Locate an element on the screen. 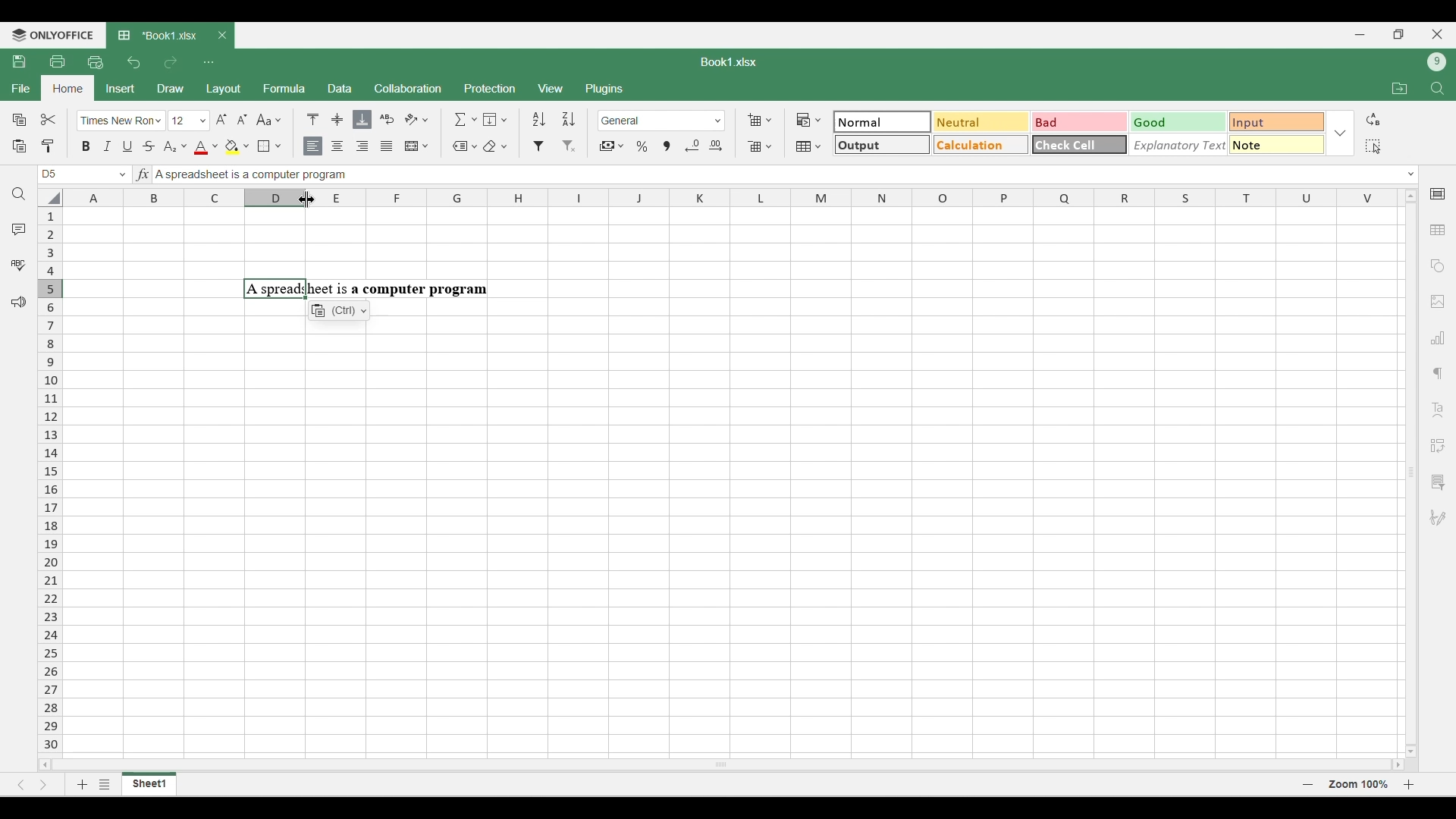 Image resolution: width=1456 pixels, height=819 pixels. Insert table is located at coordinates (1439, 231).